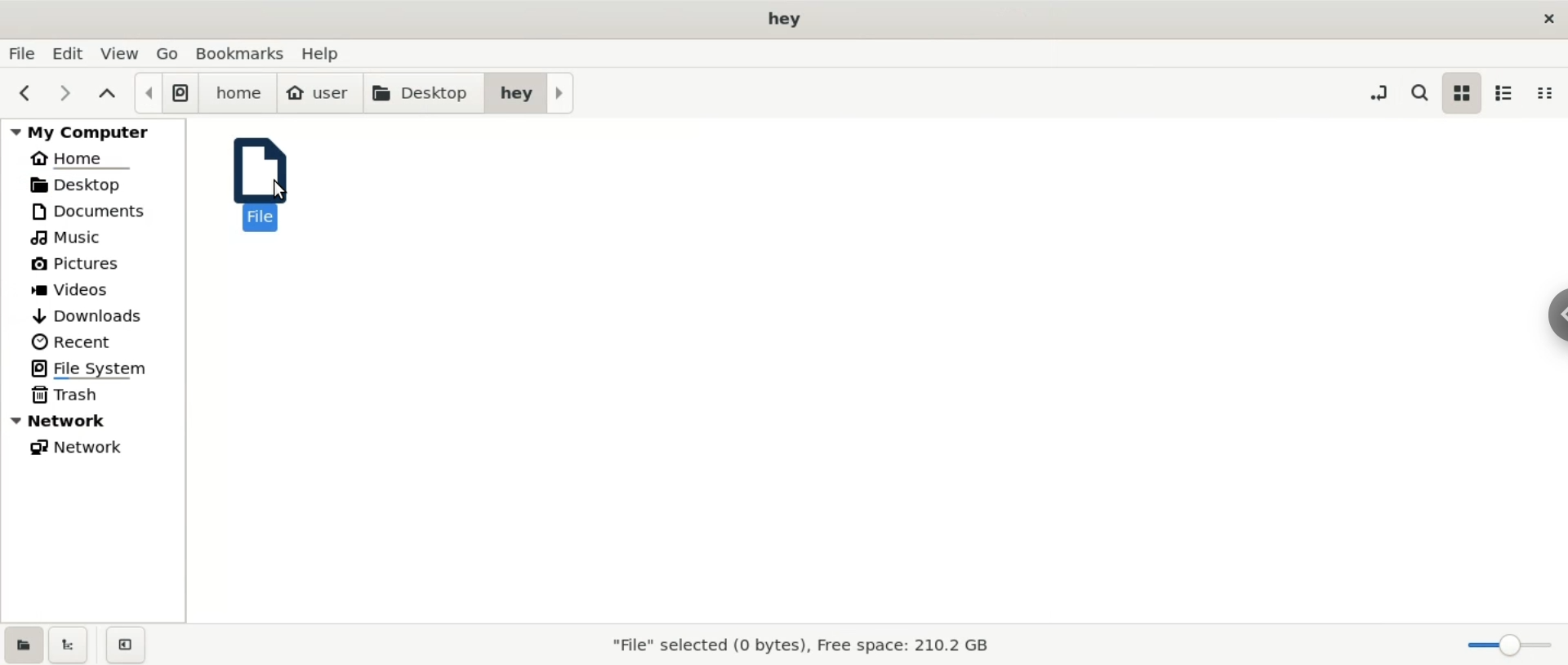 This screenshot has height=665, width=1568. What do you see at coordinates (806, 643) in the screenshot?
I see `file selected` at bounding box center [806, 643].